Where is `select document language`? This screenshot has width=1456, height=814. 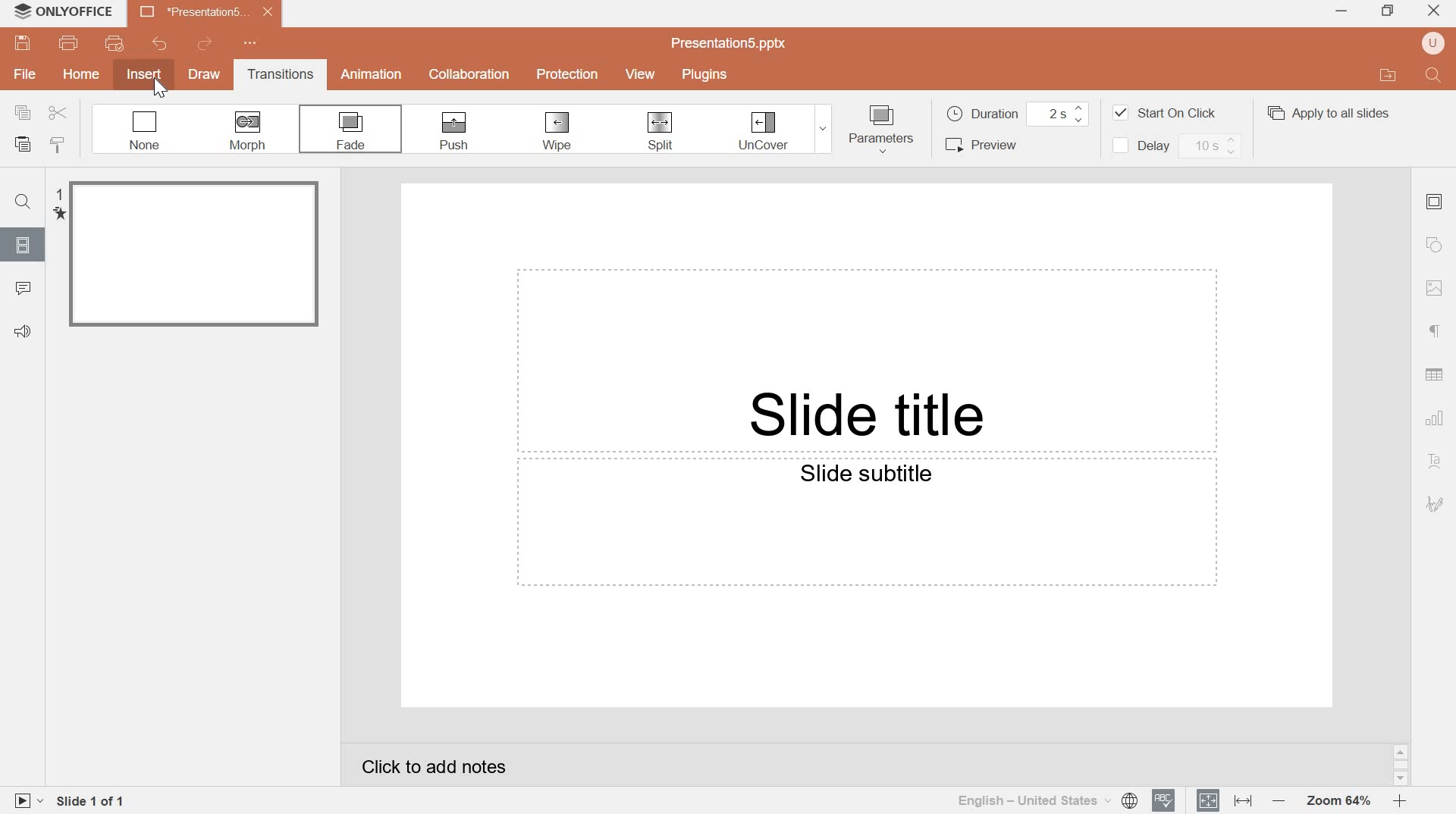
select document language is located at coordinates (1047, 800).